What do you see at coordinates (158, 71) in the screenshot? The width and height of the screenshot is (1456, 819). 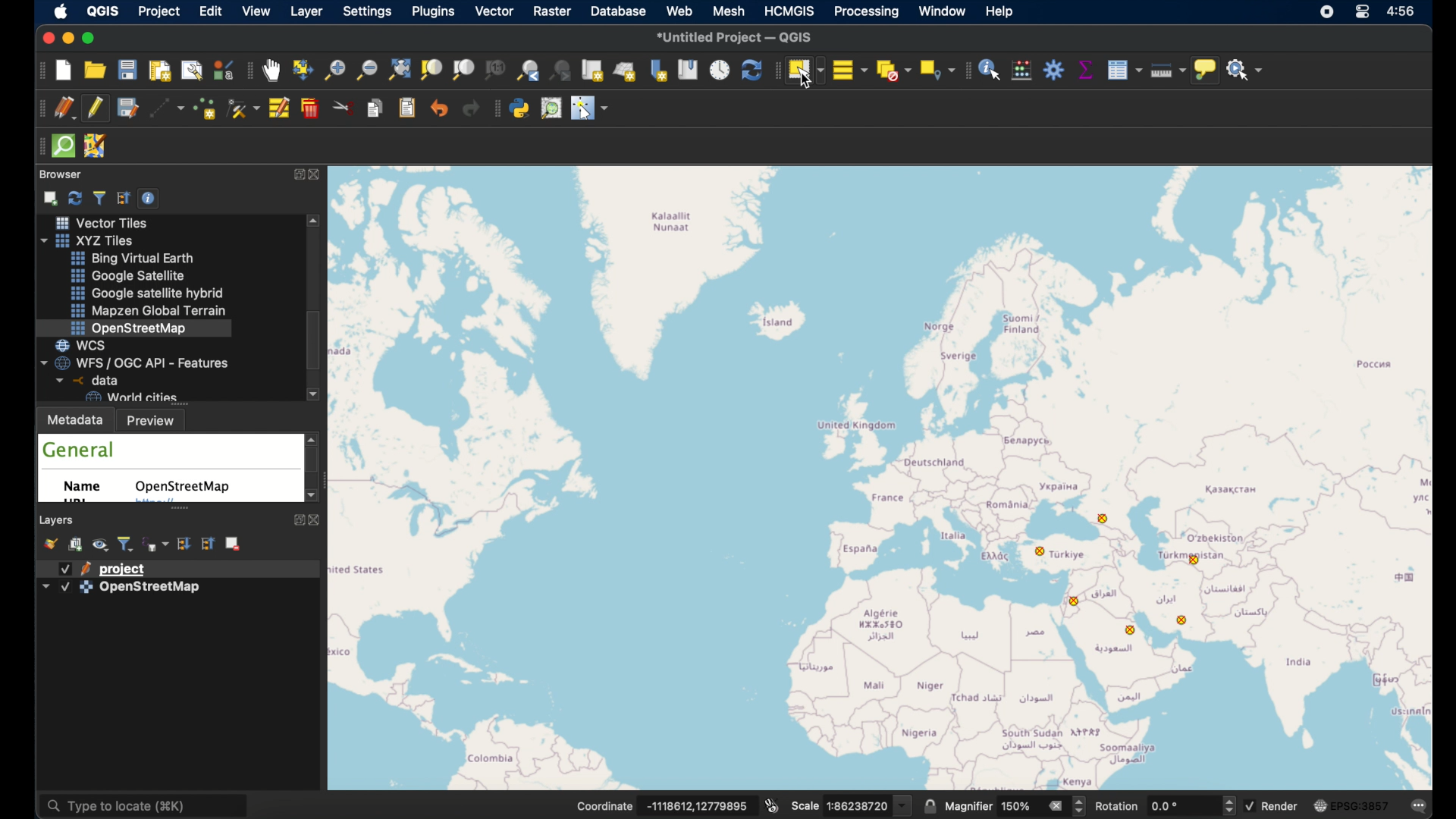 I see `new print layout` at bounding box center [158, 71].